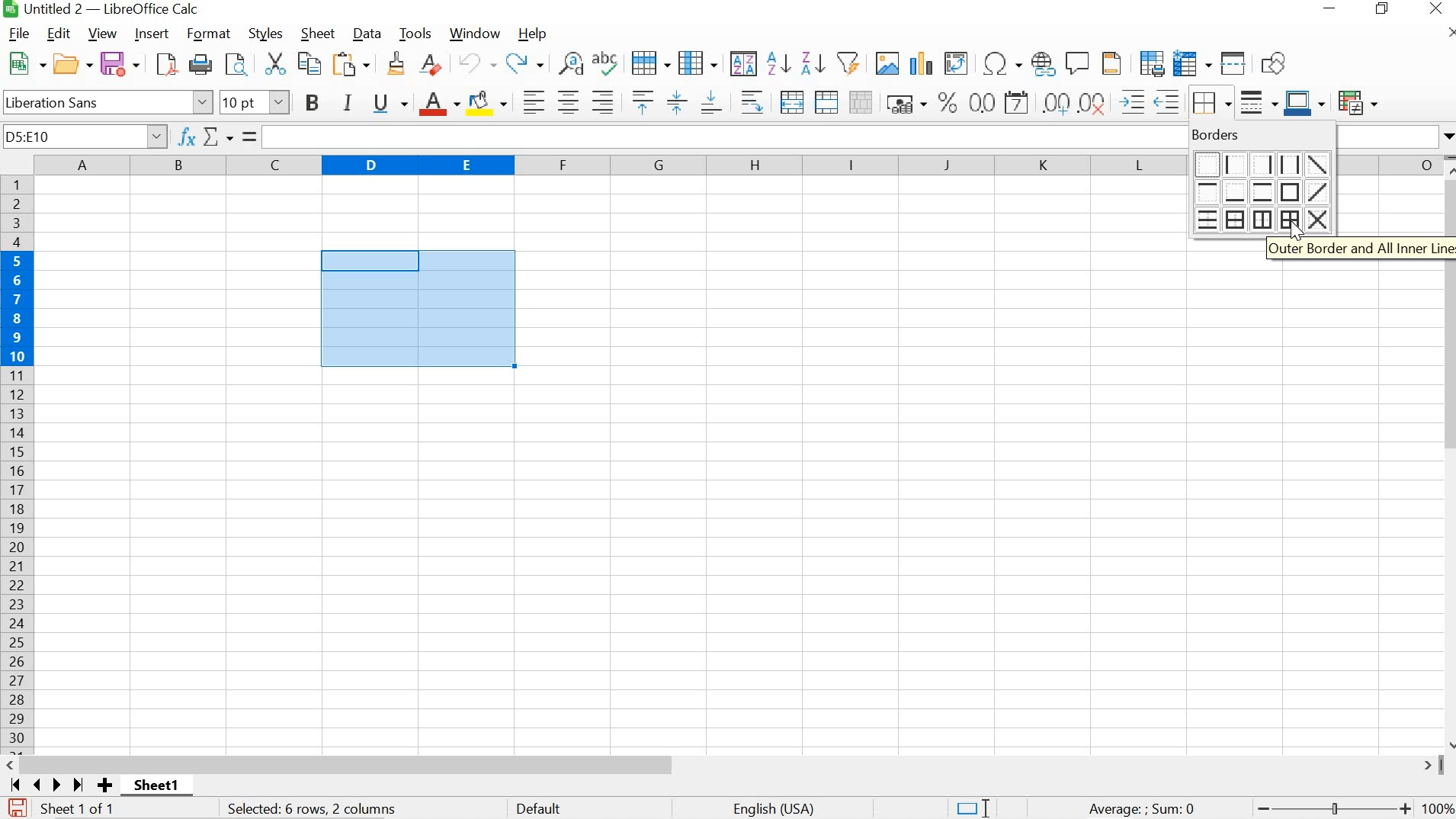  Describe the element at coordinates (743, 64) in the screenshot. I see `SORT` at that location.